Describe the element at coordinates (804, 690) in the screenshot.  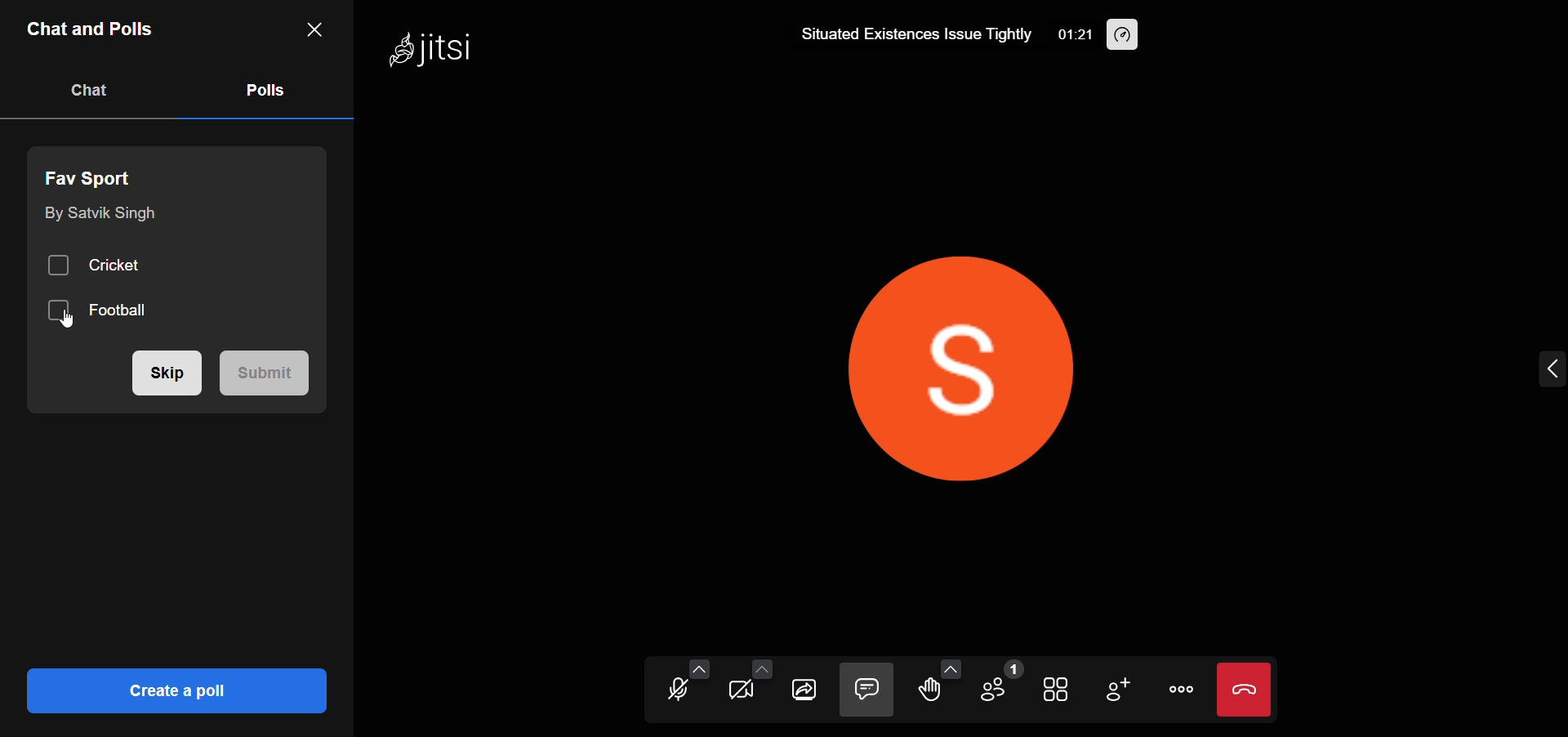
I see `screen share` at that location.